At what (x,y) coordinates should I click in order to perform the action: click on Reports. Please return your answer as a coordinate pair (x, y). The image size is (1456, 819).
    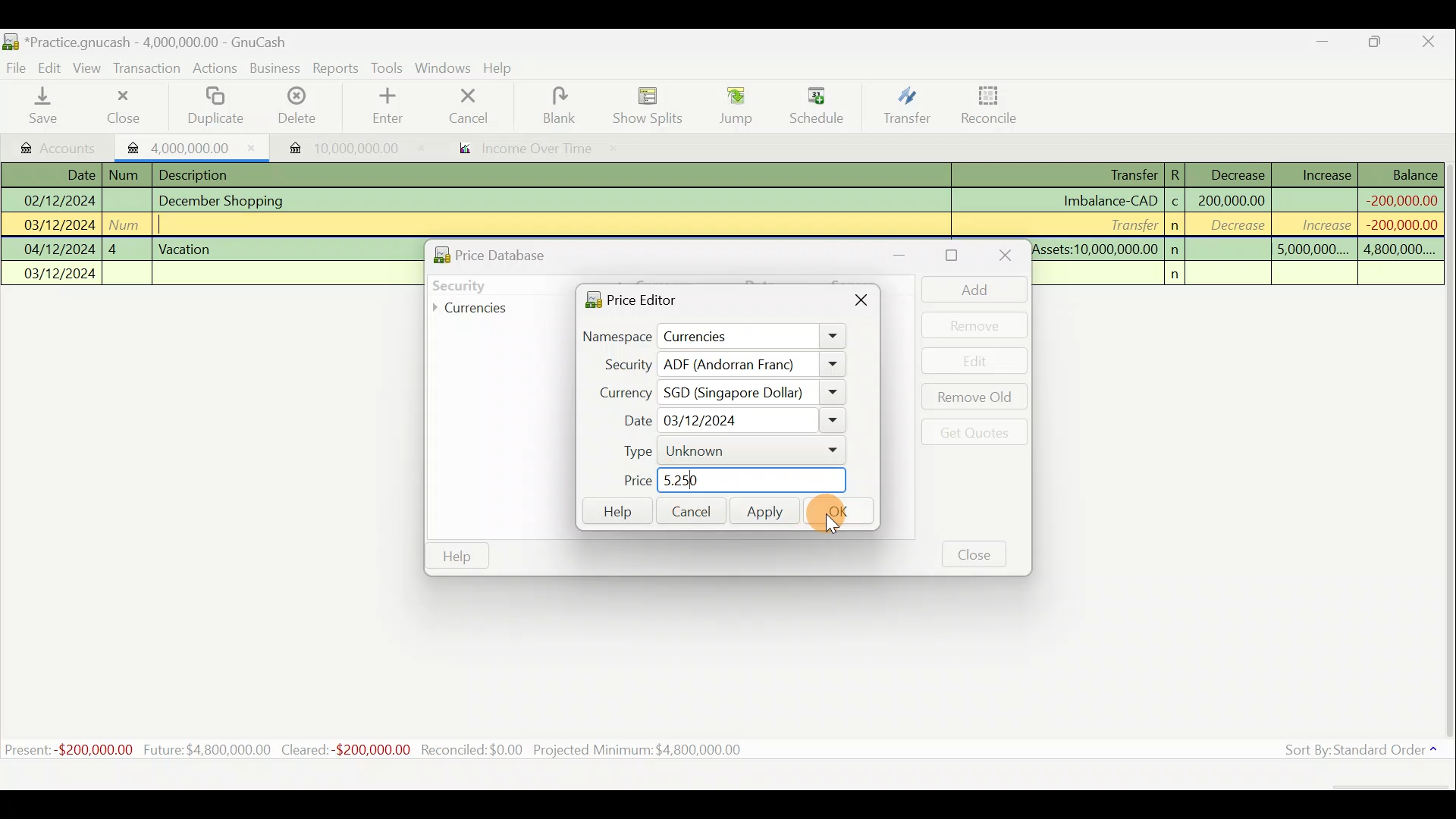
    Looking at the image, I should click on (335, 68).